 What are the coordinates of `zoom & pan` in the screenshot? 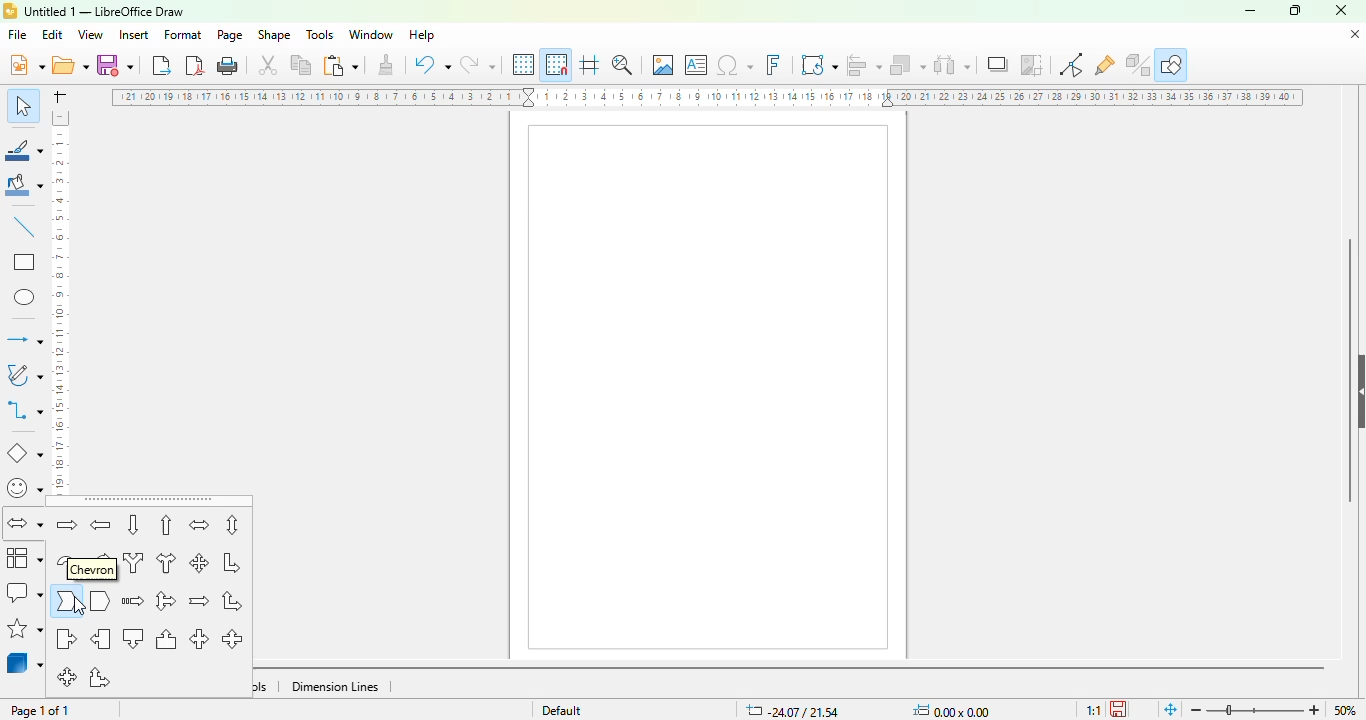 It's located at (622, 64).